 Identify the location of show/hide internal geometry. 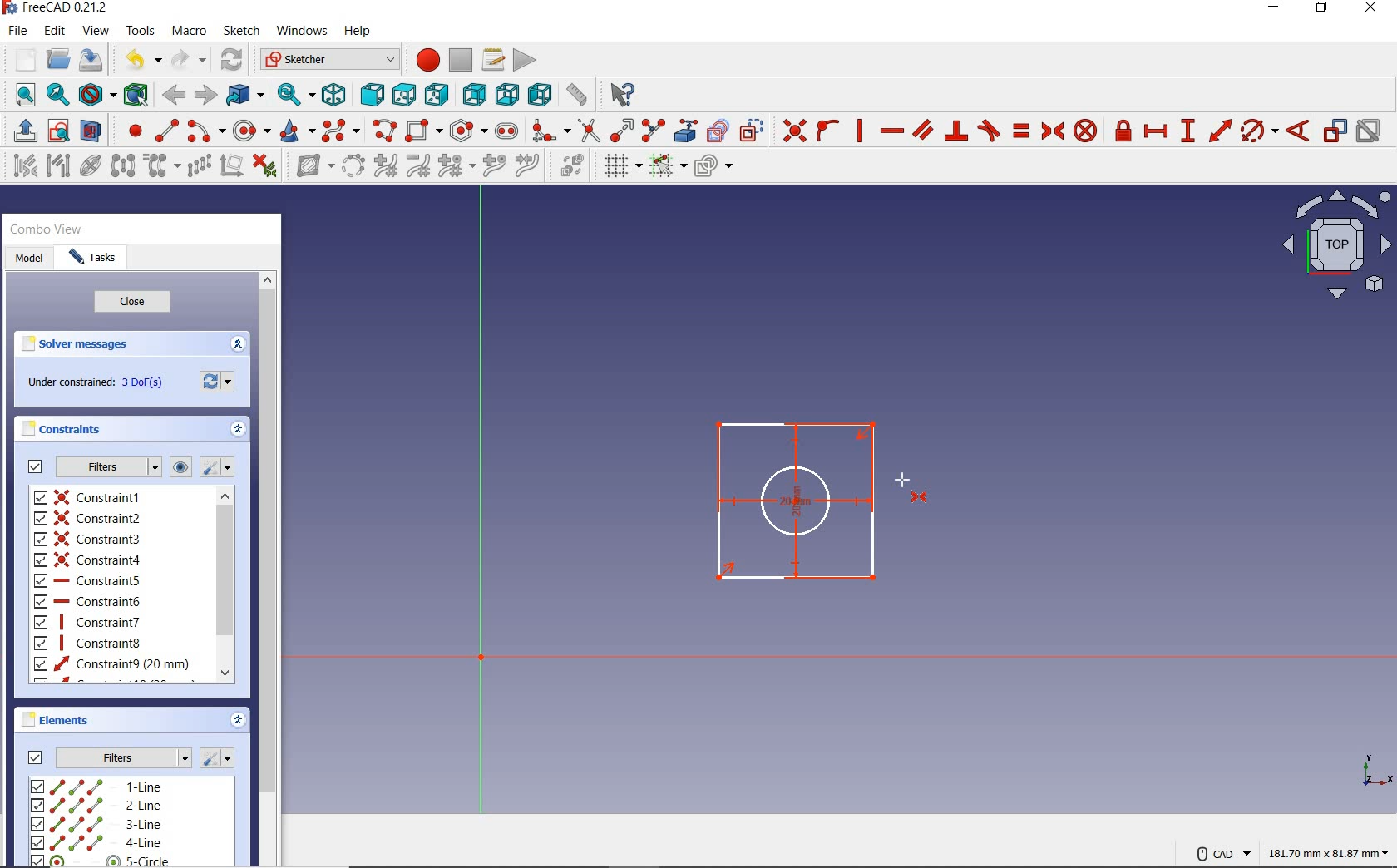
(91, 168).